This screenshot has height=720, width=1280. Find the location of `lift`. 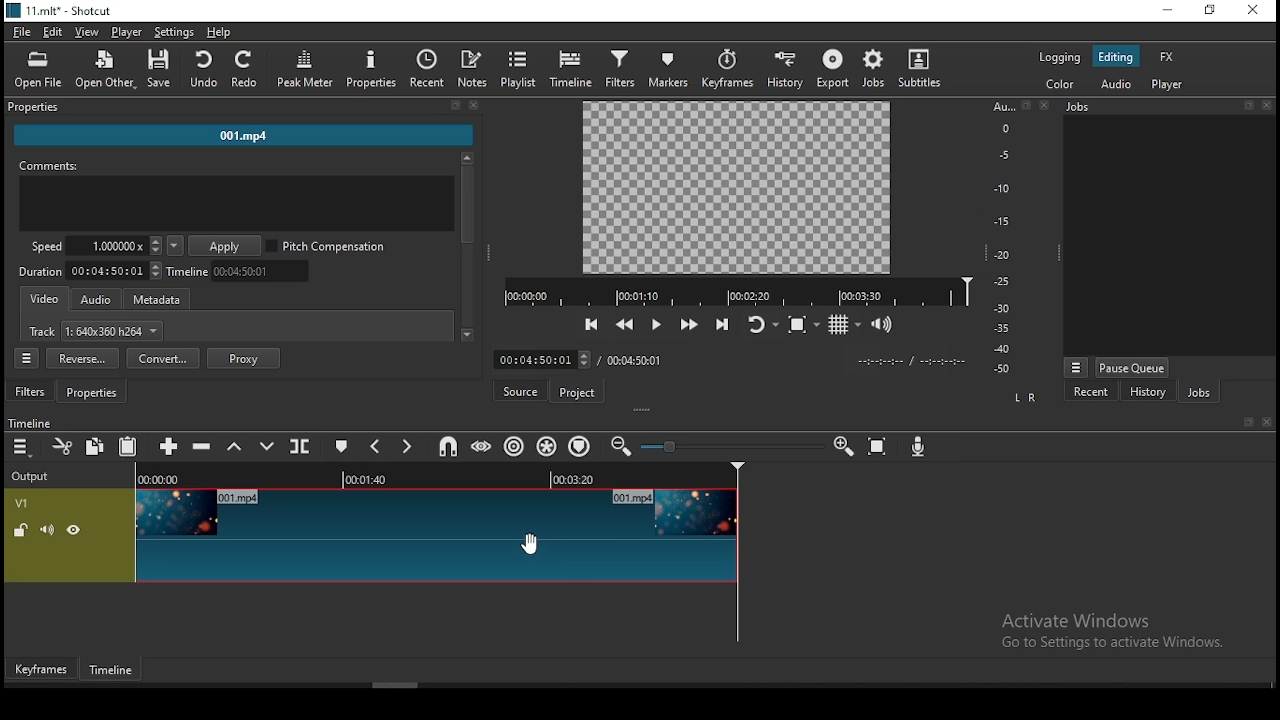

lift is located at coordinates (236, 446).